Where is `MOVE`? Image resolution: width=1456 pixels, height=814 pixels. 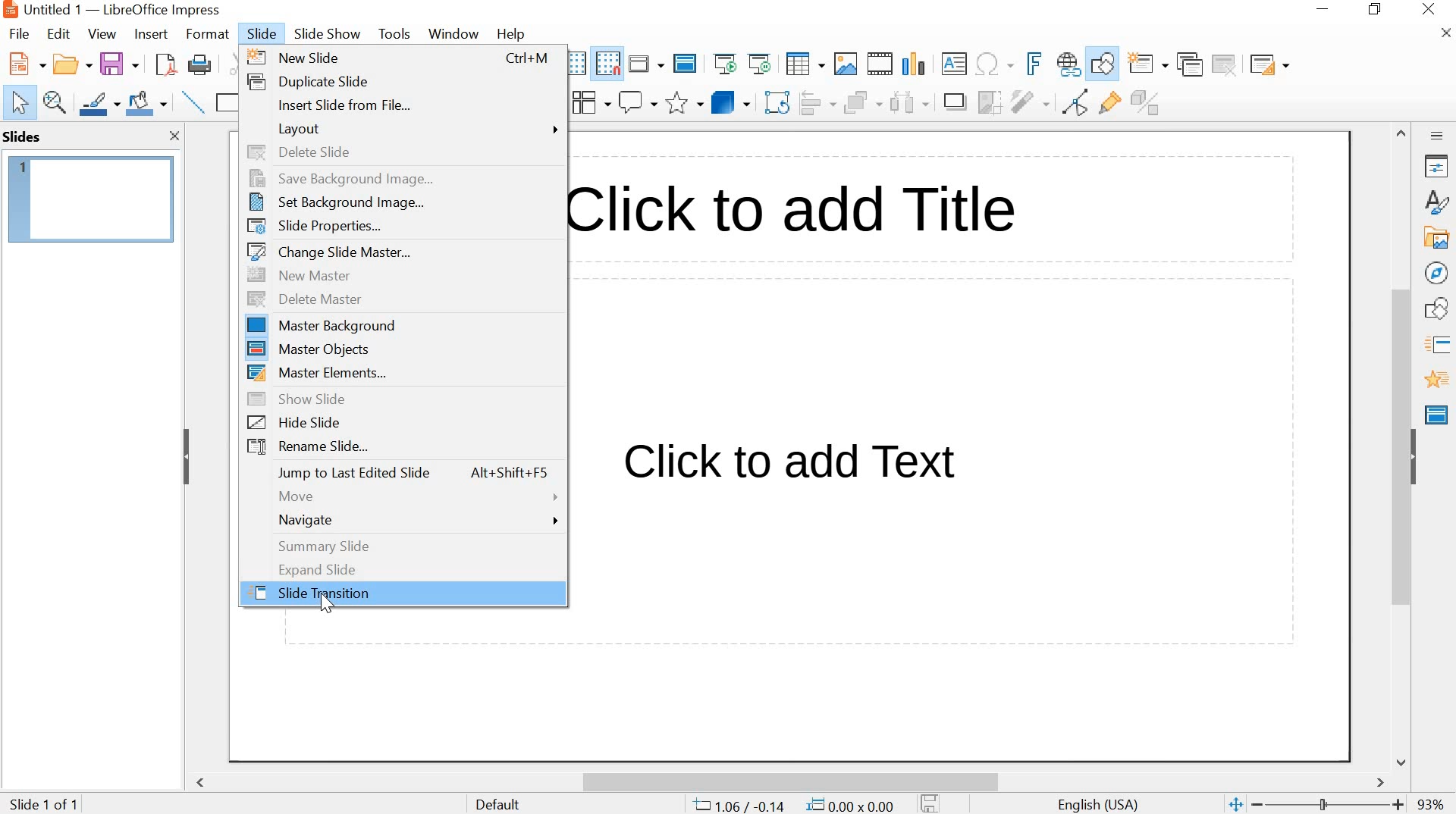 MOVE is located at coordinates (399, 496).